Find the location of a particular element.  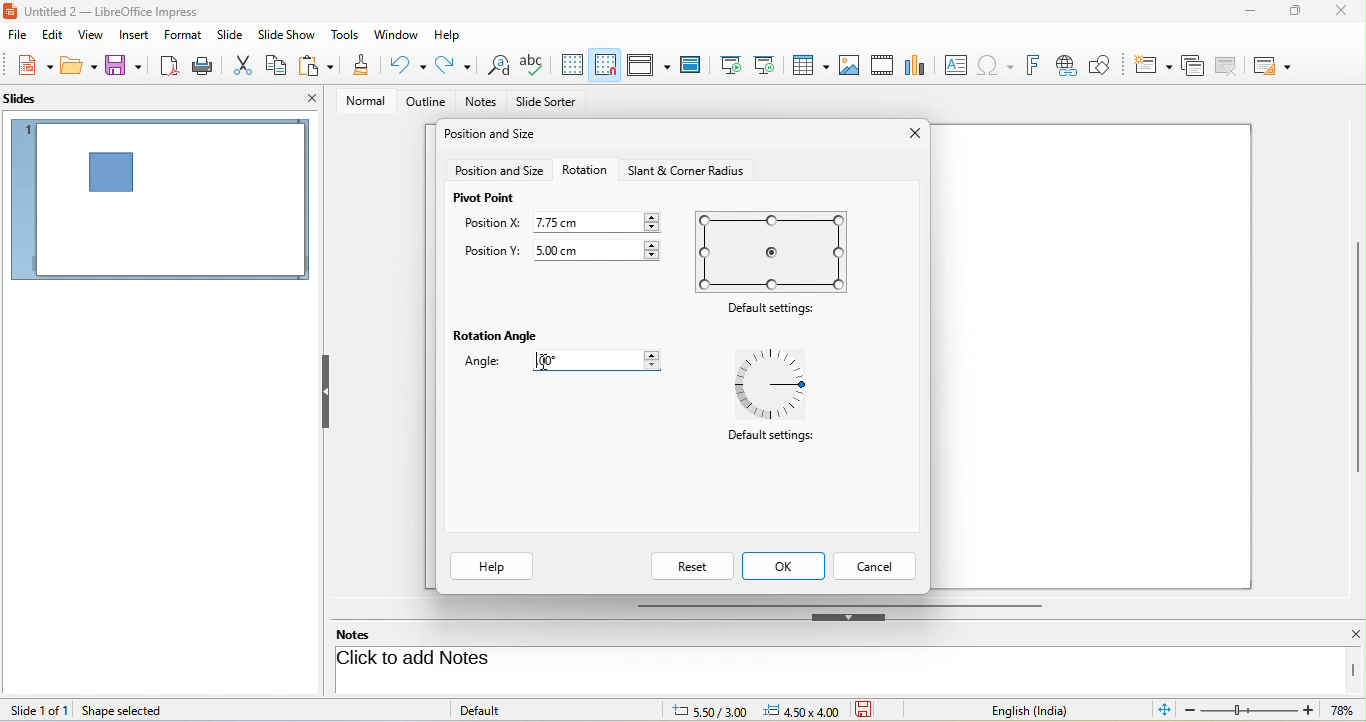

delete slide is located at coordinates (1232, 66).